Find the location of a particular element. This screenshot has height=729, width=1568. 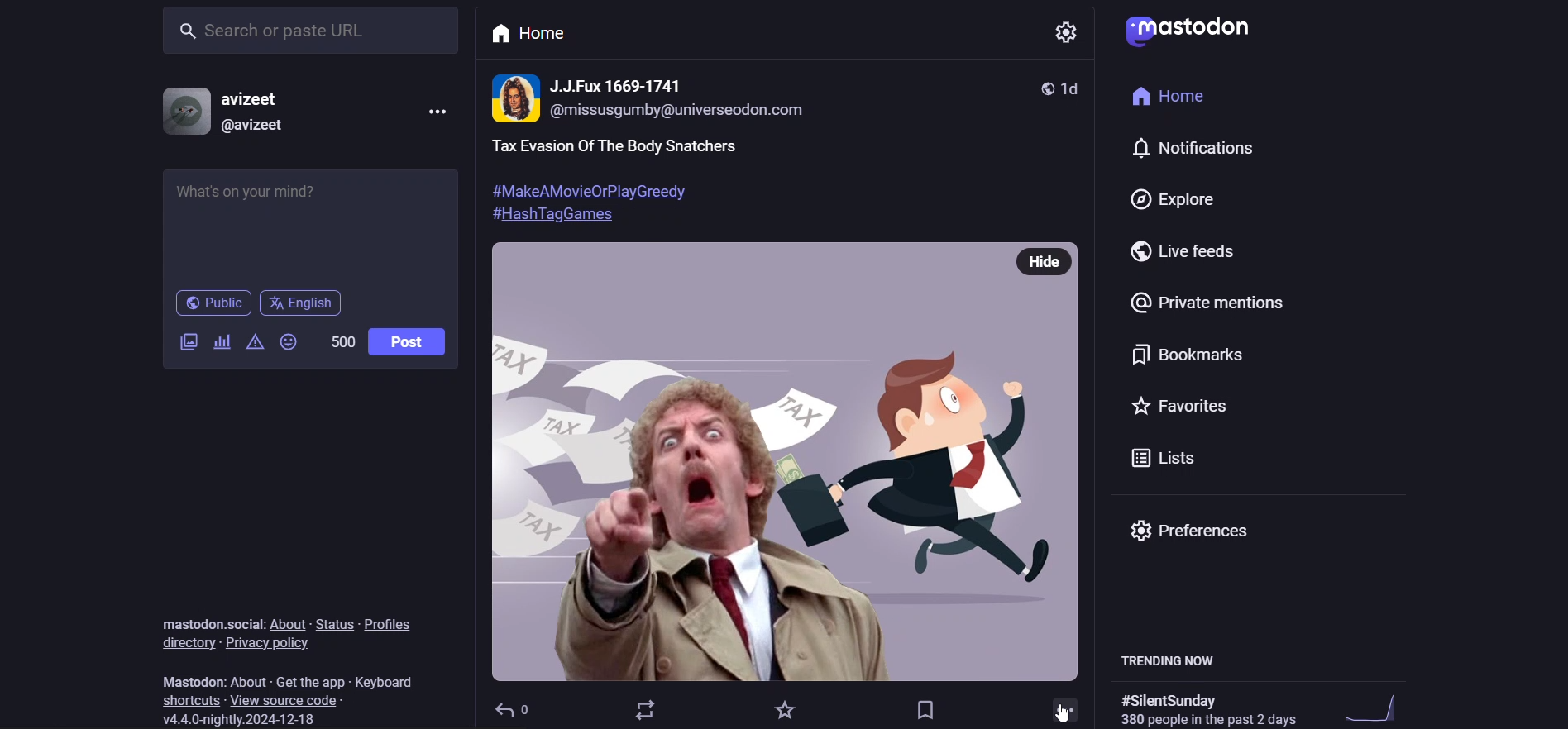

bookmark is located at coordinates (1196, 354).